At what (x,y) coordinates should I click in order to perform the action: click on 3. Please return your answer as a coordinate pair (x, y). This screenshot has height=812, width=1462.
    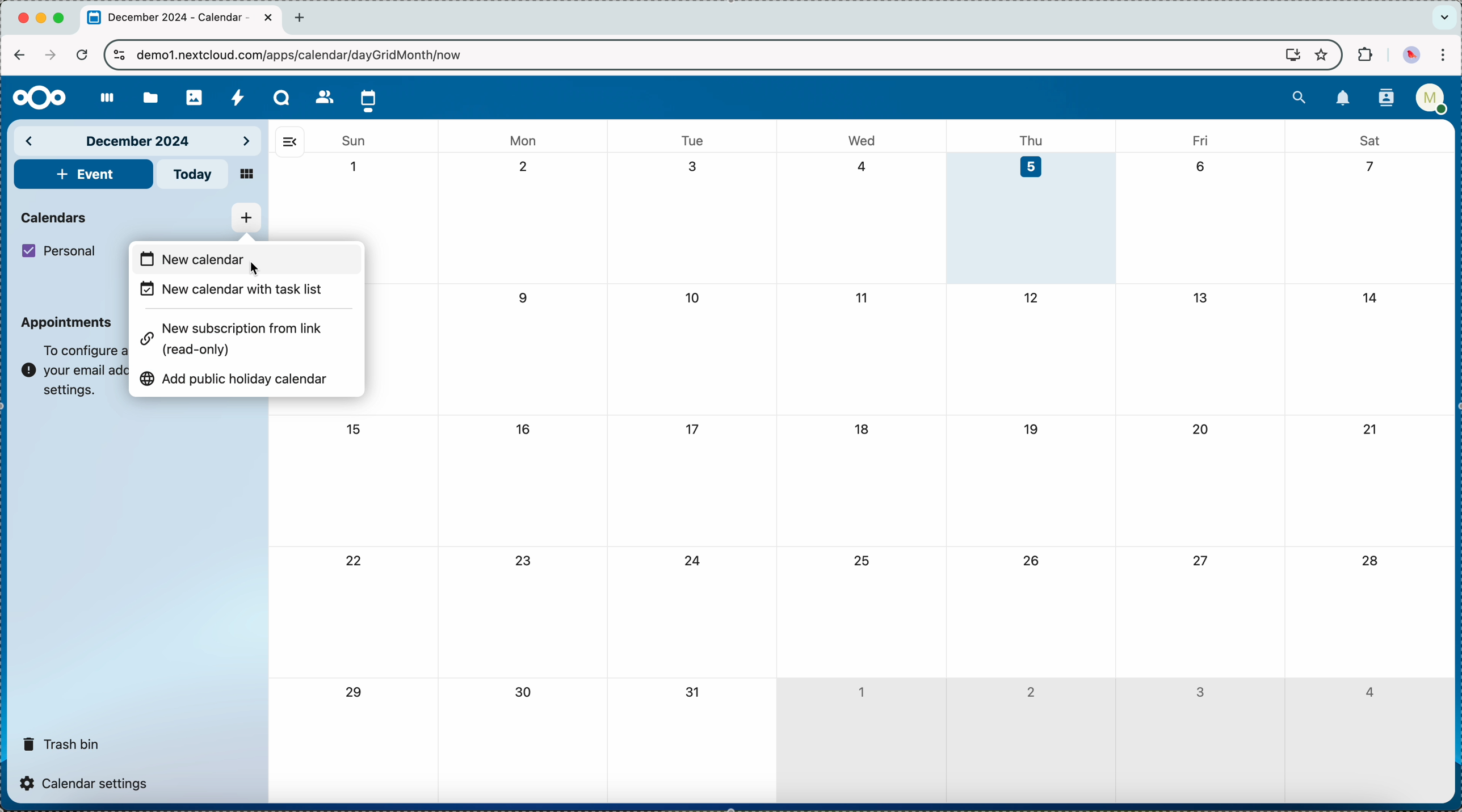
    Looking at the image, I should click on (694, 166).